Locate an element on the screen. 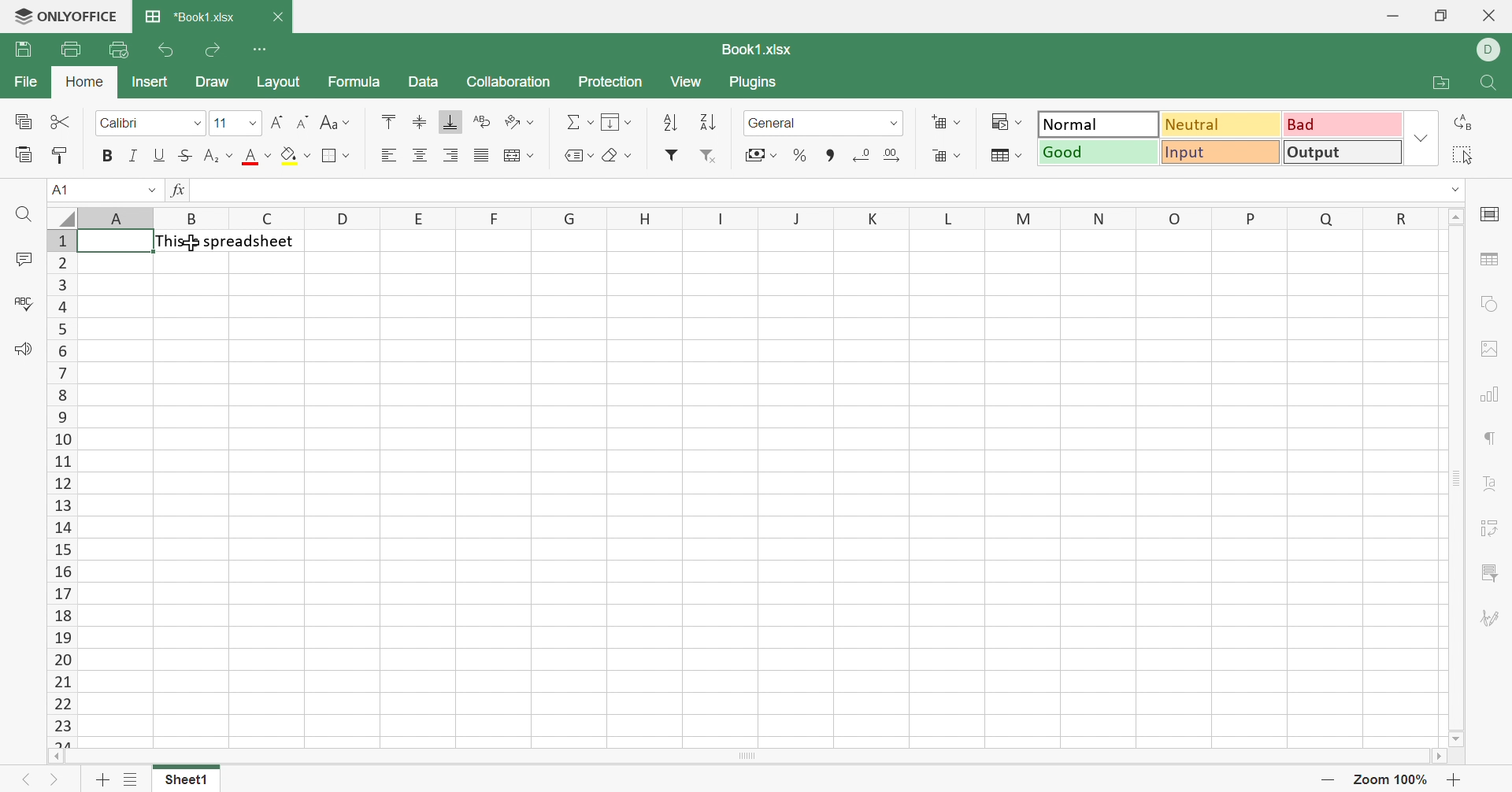 The width and height of the screenshot is (1512, 792). Drop Down is located at coordinates (958, 154).